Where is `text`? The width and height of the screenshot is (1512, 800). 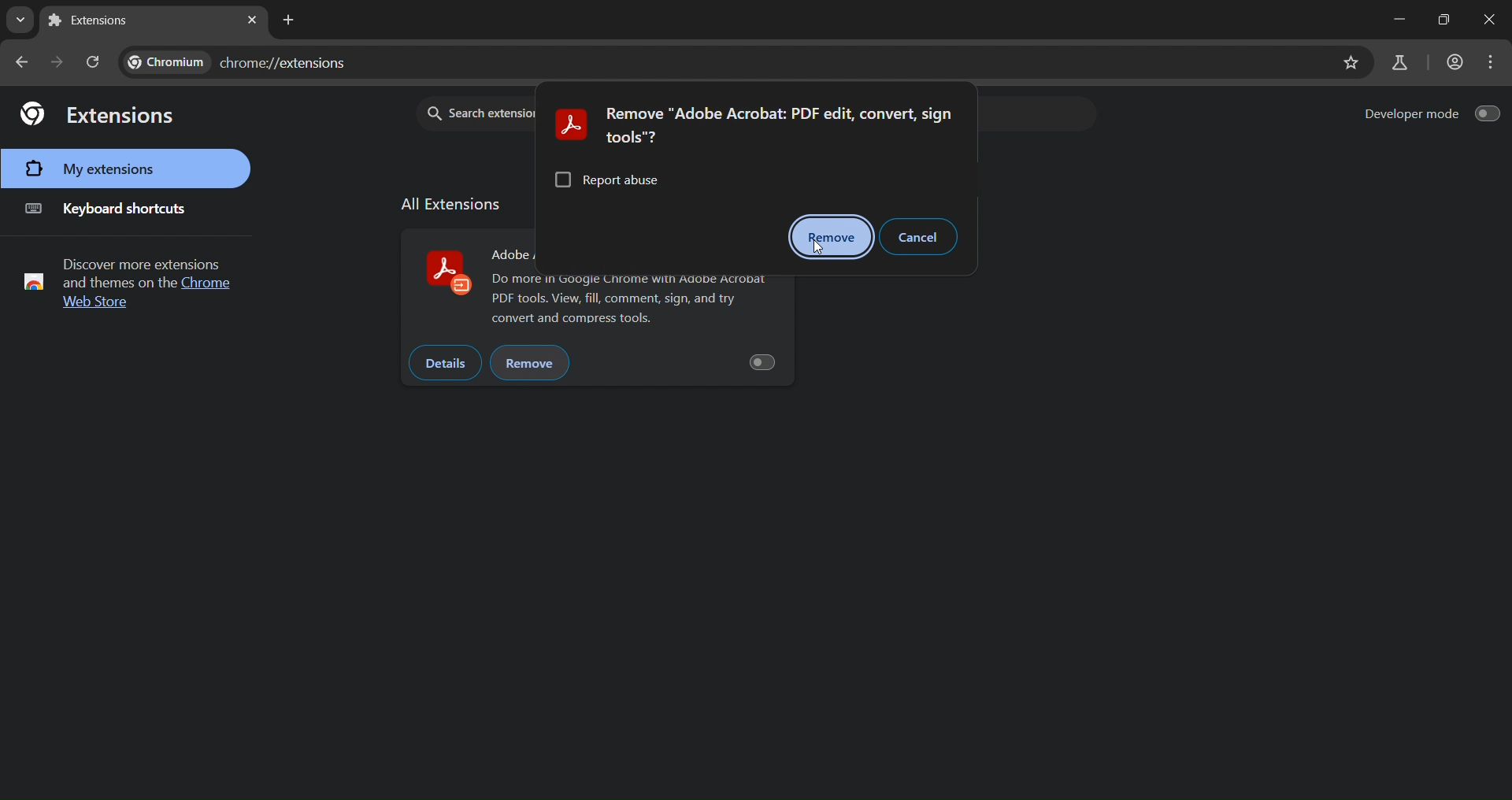
text is located at coordinates (124, 282).